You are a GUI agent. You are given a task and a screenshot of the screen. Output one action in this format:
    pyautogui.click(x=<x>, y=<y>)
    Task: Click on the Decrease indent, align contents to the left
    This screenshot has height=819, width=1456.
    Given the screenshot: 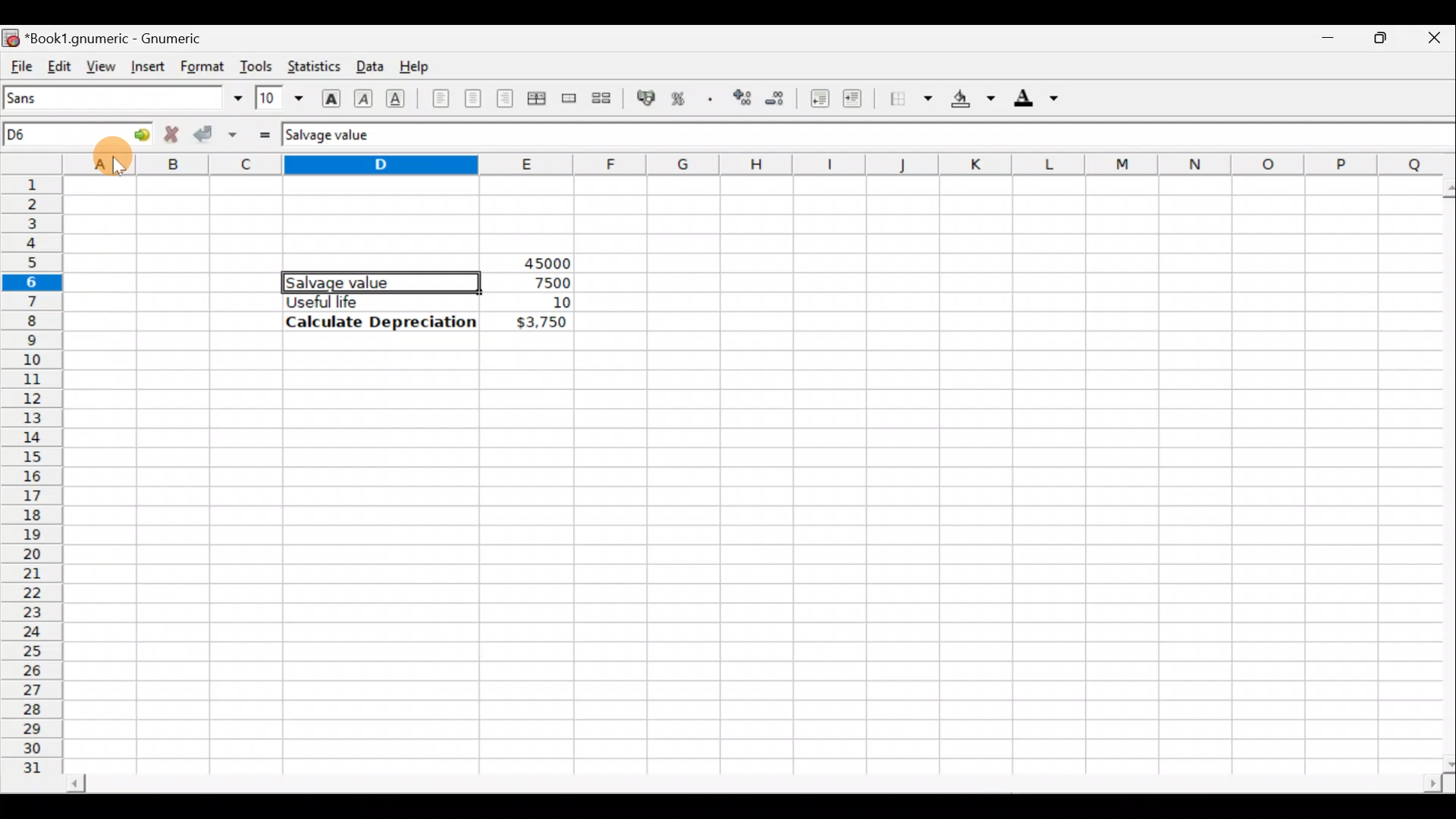 What is the action you would take?
    pyautogui.click(x=815, y=99)
    